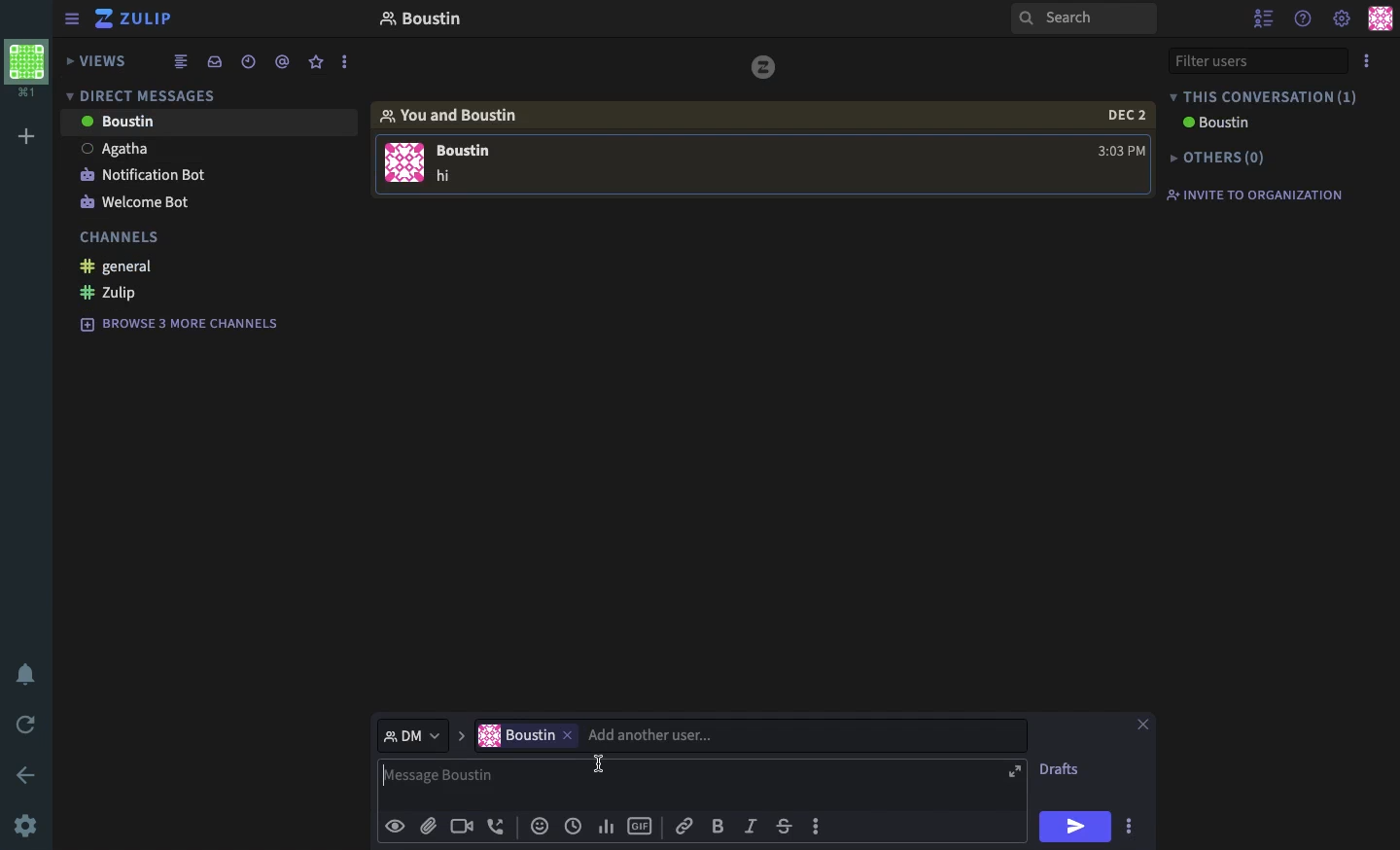 The height and width of the screenshot is (850, 1400). I want to click on file attachment, so click(428, 825).